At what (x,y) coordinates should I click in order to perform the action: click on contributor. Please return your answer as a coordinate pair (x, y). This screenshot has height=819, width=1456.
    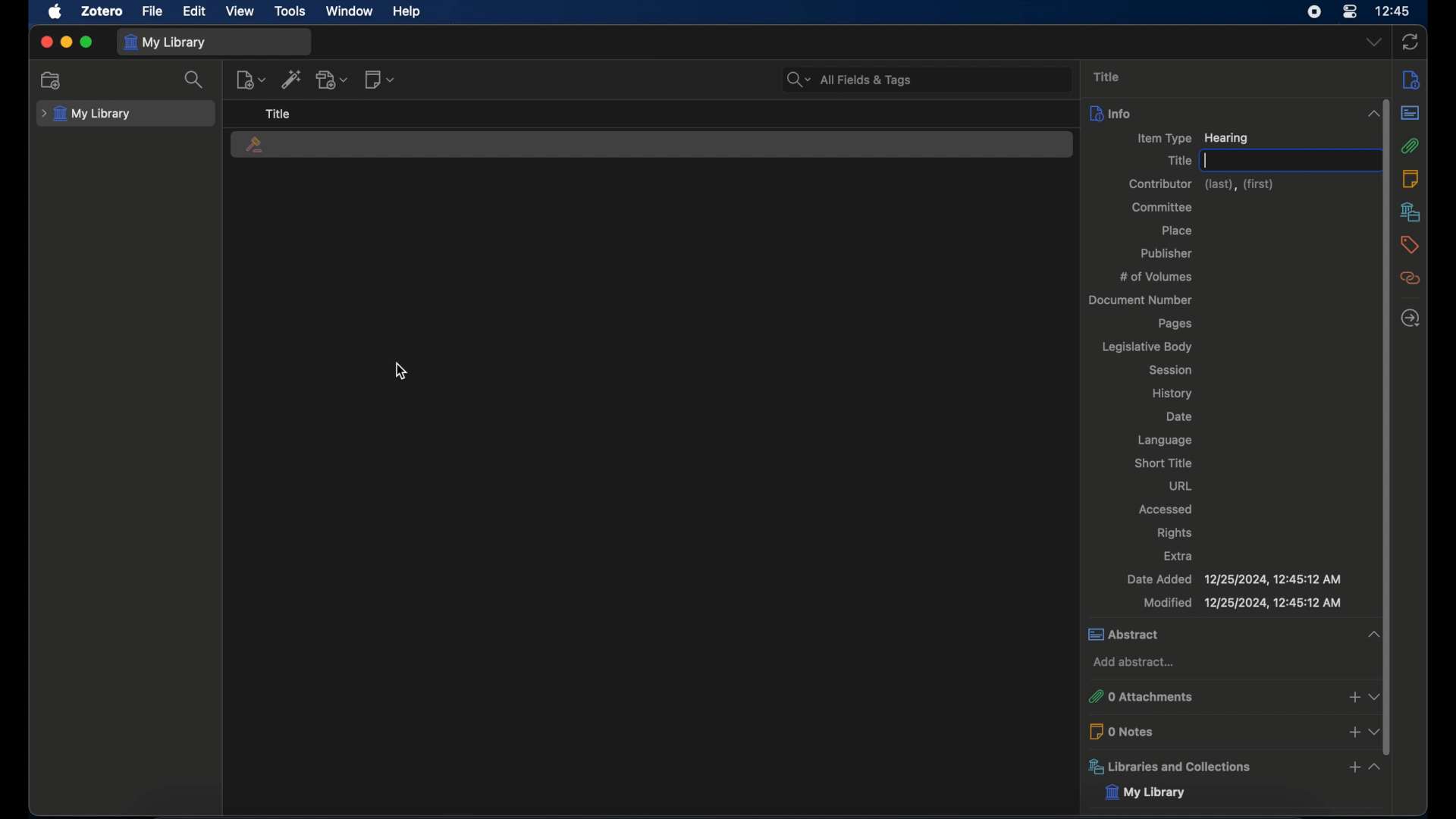
    Looking at the image, I should click on (1202, 184).